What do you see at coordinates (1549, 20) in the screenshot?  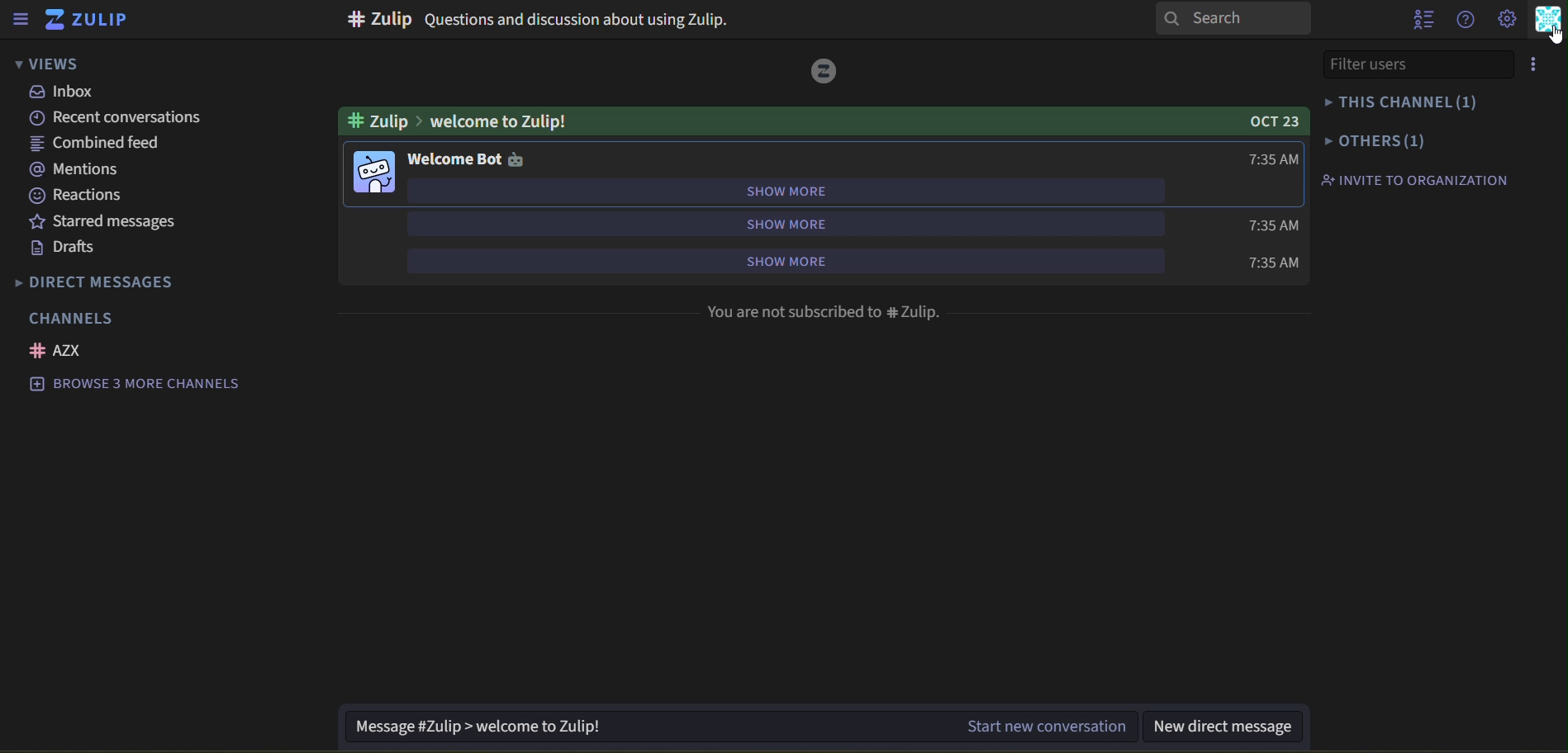 I see `personal menu` at bounding box center [1549, 20].